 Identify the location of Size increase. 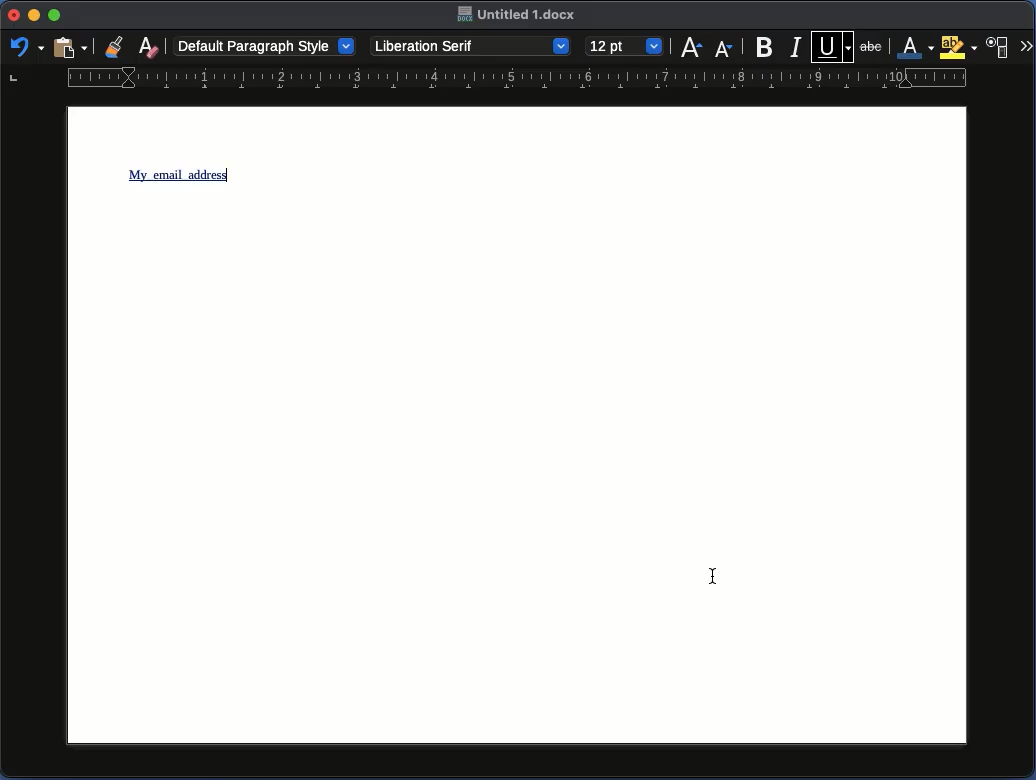
(691, 47).